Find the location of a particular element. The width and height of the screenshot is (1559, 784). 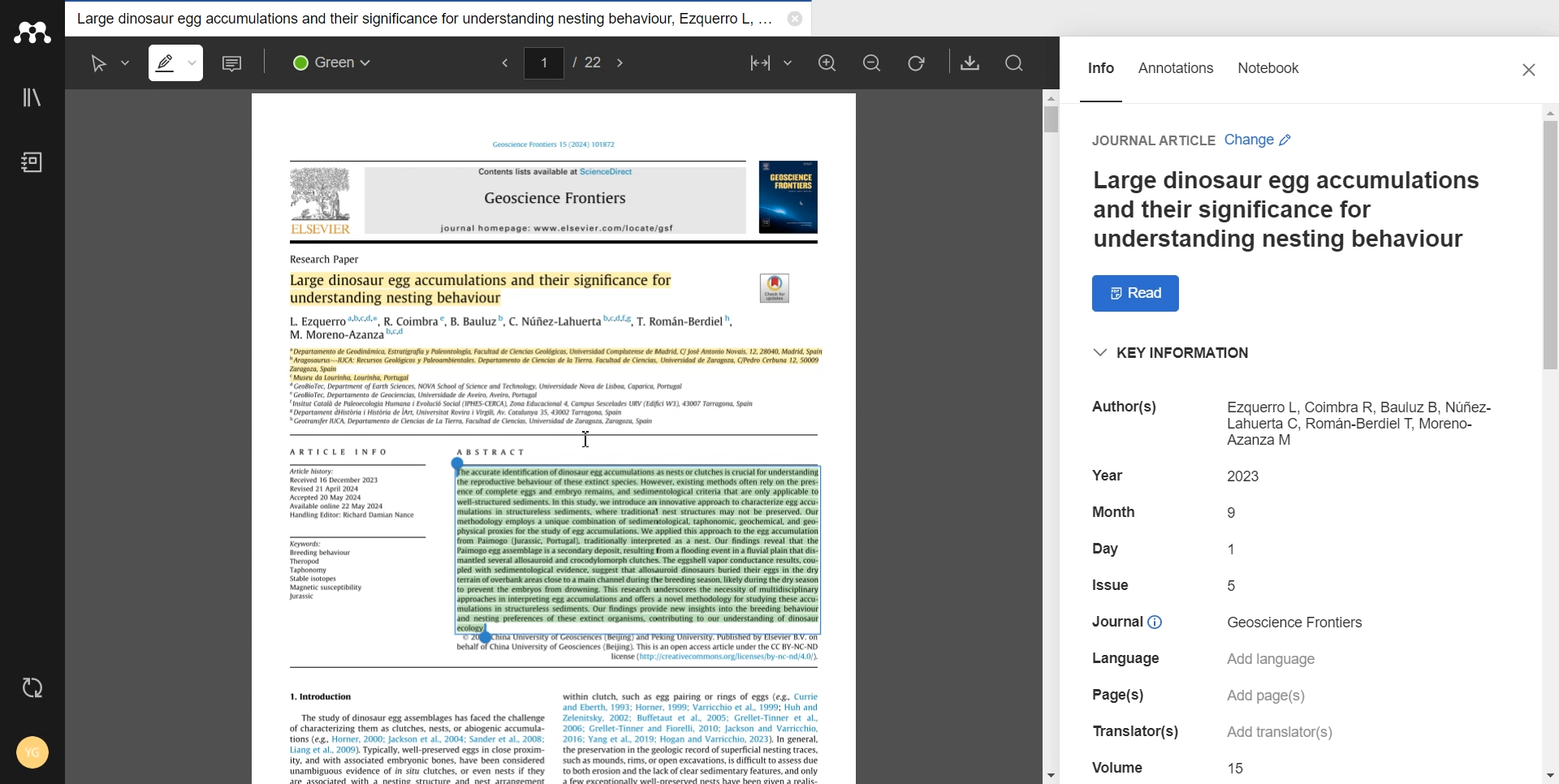

Info is located at coordinates (1100, 76).